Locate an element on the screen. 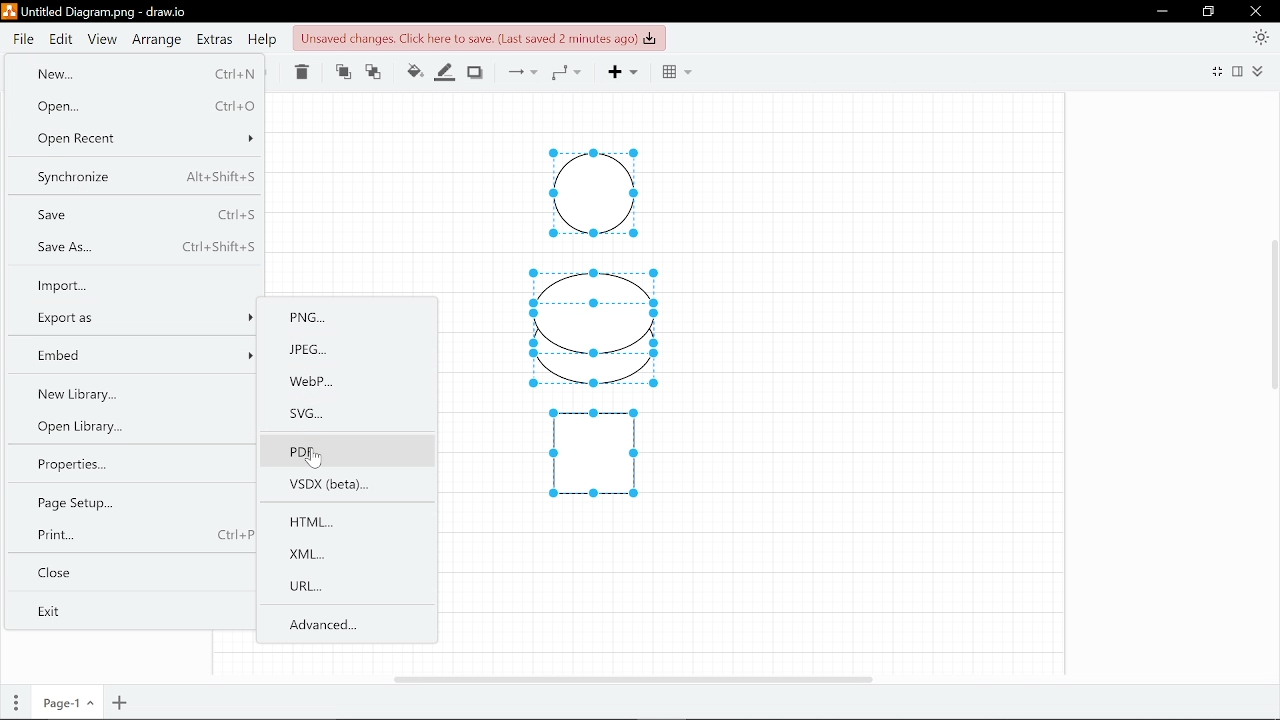 This screenshot has width=1280, height=720. Page setup is located at coordinates (132, 503).